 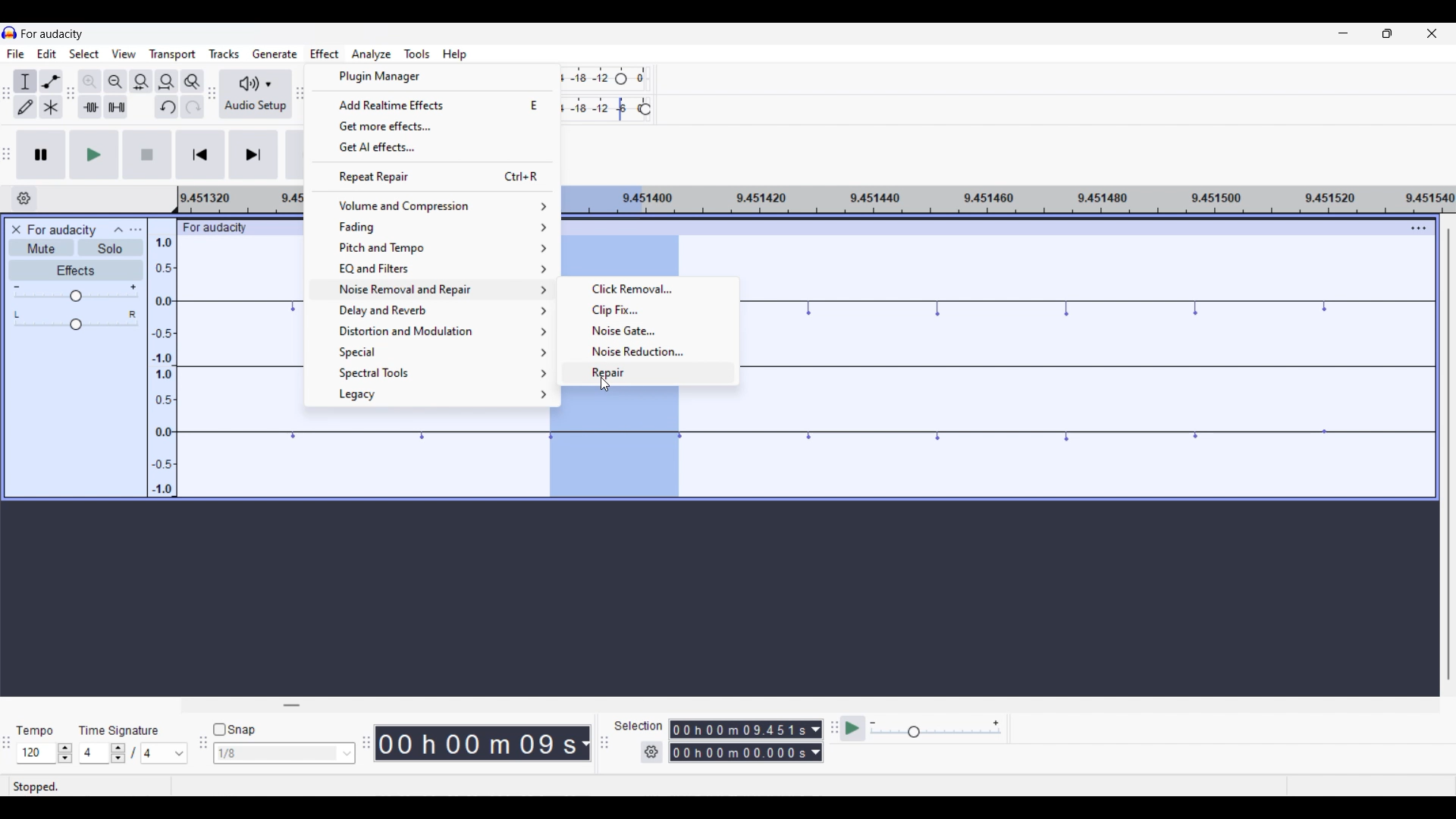 What do you see at coordinates (24, 199) in the screenshot?
I see `Timeline options` at bounding box center [24, 199].